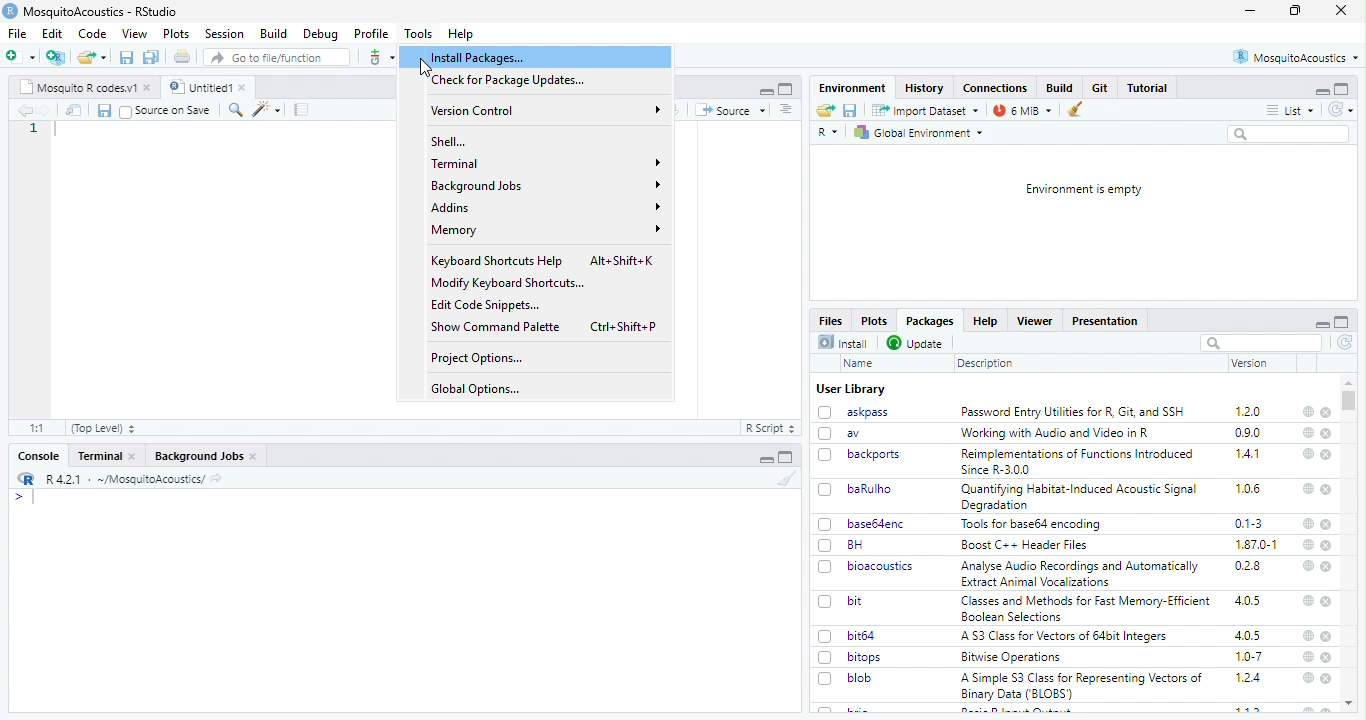  What do you see at coordinates (828, 133) in the screenshot?
I see `R` at bounding box center [828, 133].